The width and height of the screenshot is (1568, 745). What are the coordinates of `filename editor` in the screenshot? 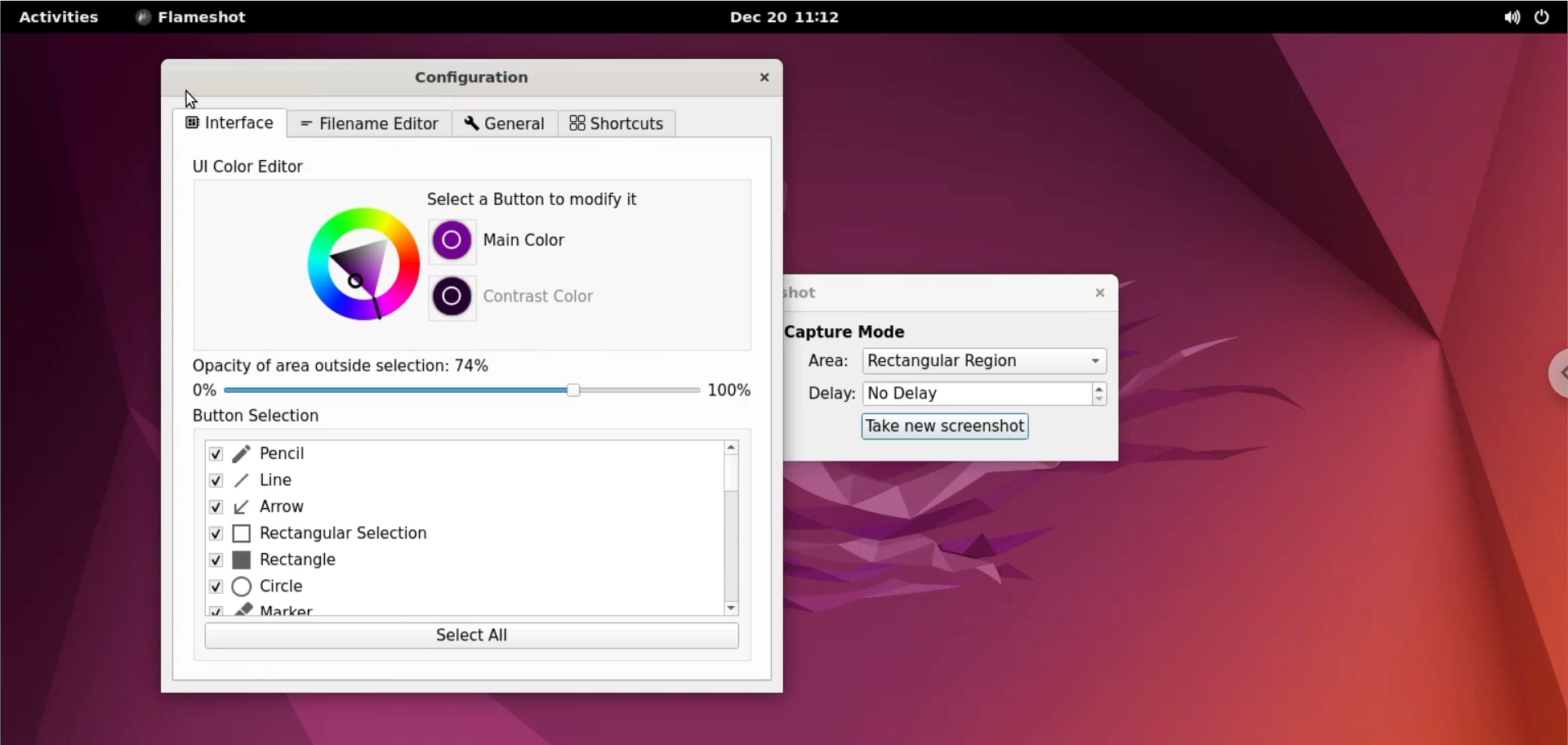 It's located at (367, 123).